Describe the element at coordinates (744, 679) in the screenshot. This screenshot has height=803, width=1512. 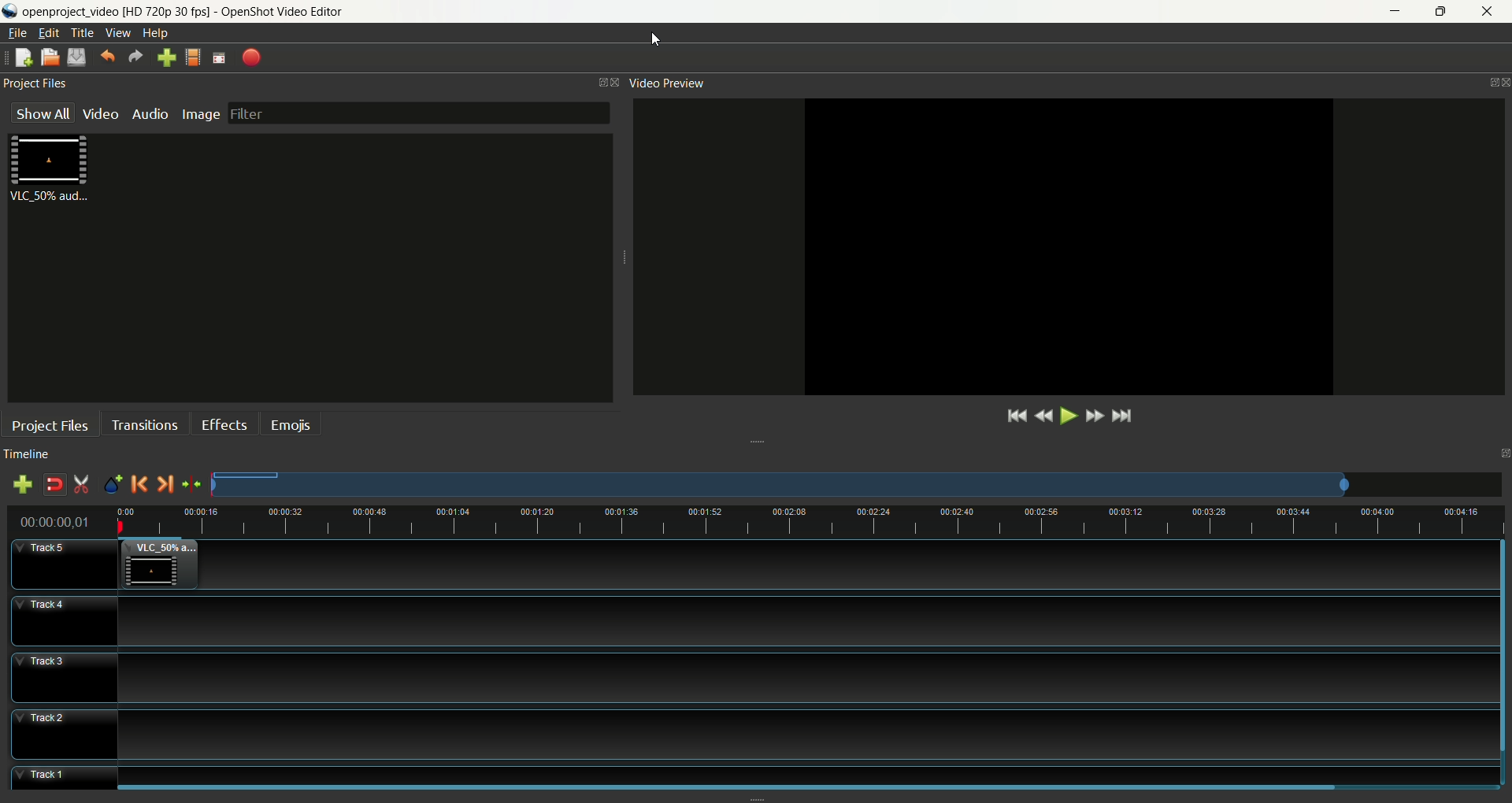
I see `track 3` at that location.